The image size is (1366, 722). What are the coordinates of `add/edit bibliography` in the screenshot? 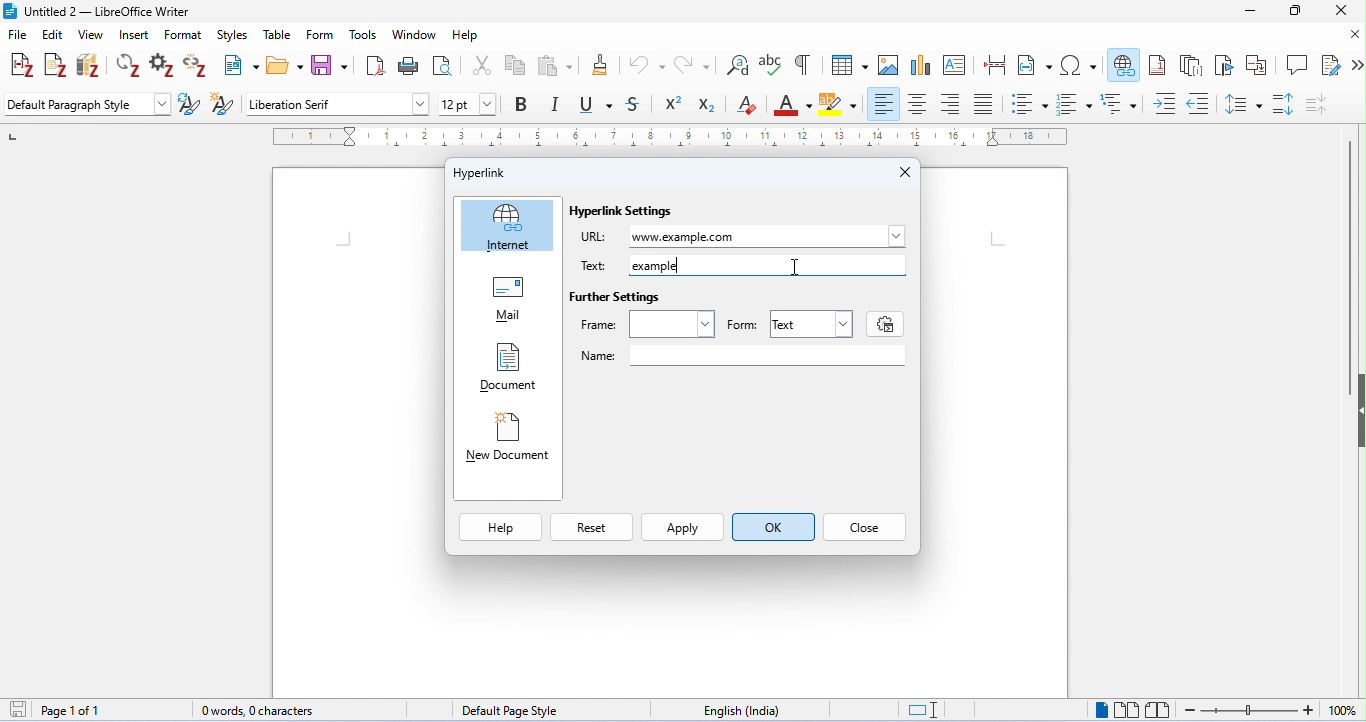 It's located at (88, 65).